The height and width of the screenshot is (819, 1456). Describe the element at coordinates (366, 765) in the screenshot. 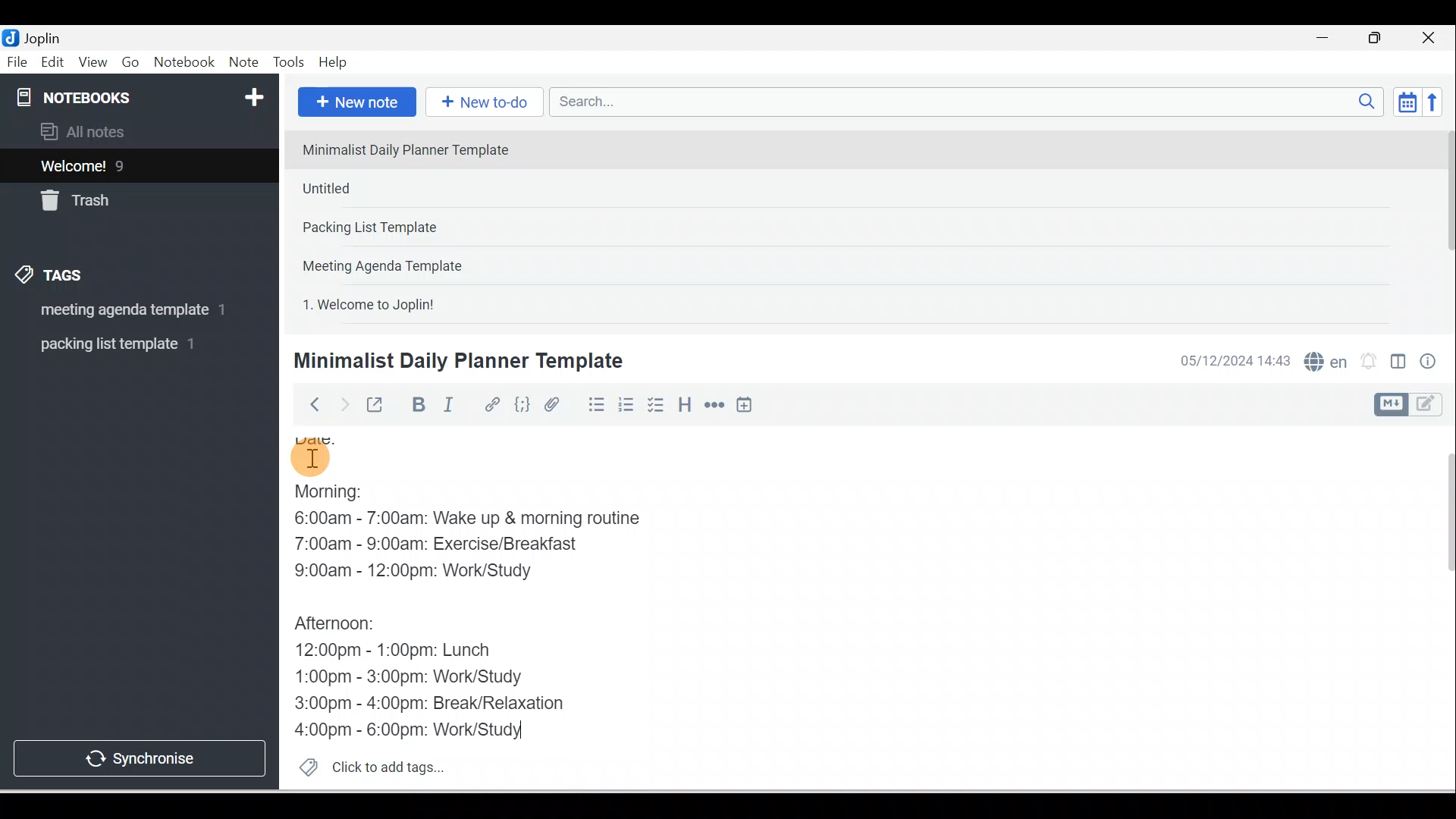

I see `Click to add tags` at that location.